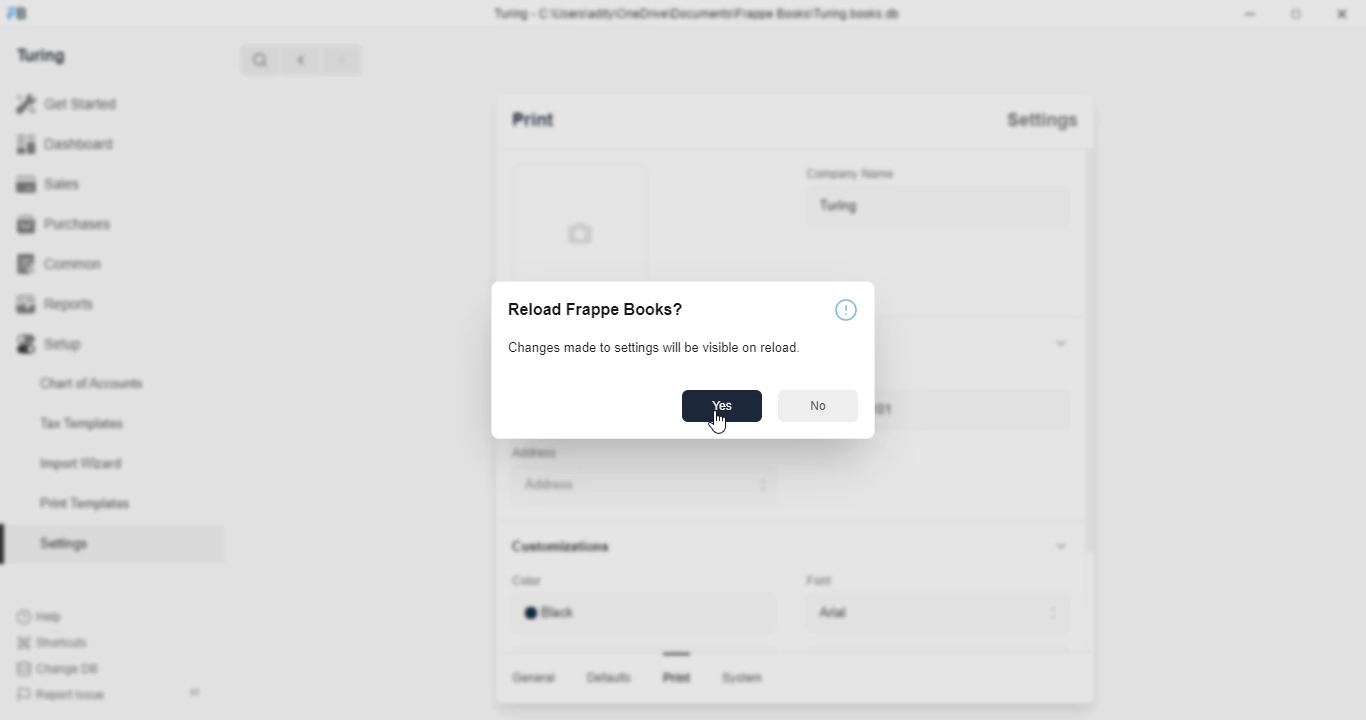 The height and width of the screenshot is (720, 1366). I want to click on add profile image, so click(574, 219).